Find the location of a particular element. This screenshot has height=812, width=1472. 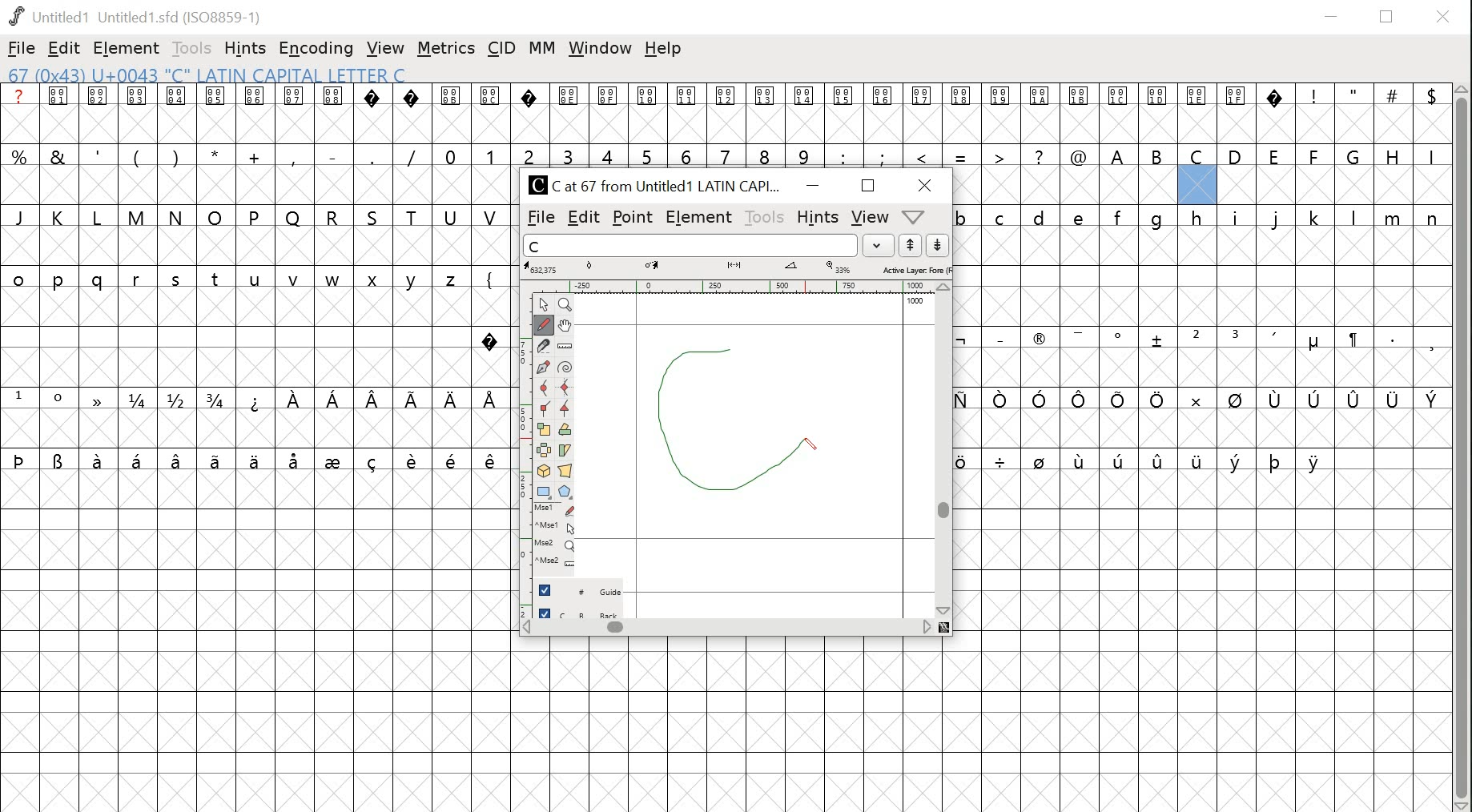

ruler is located at coordinates (735, 285).